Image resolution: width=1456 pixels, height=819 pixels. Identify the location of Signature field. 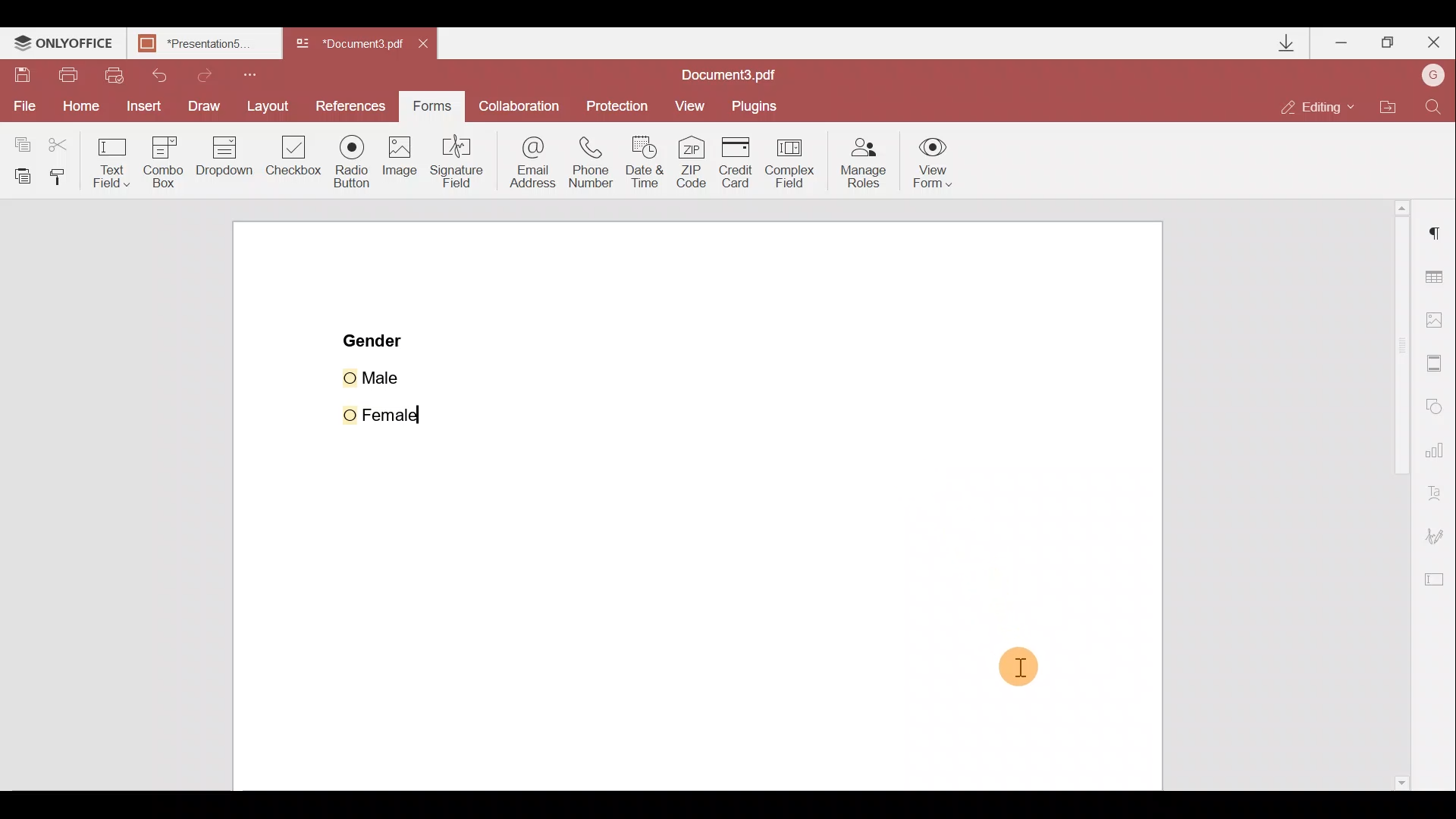
(461, 168).